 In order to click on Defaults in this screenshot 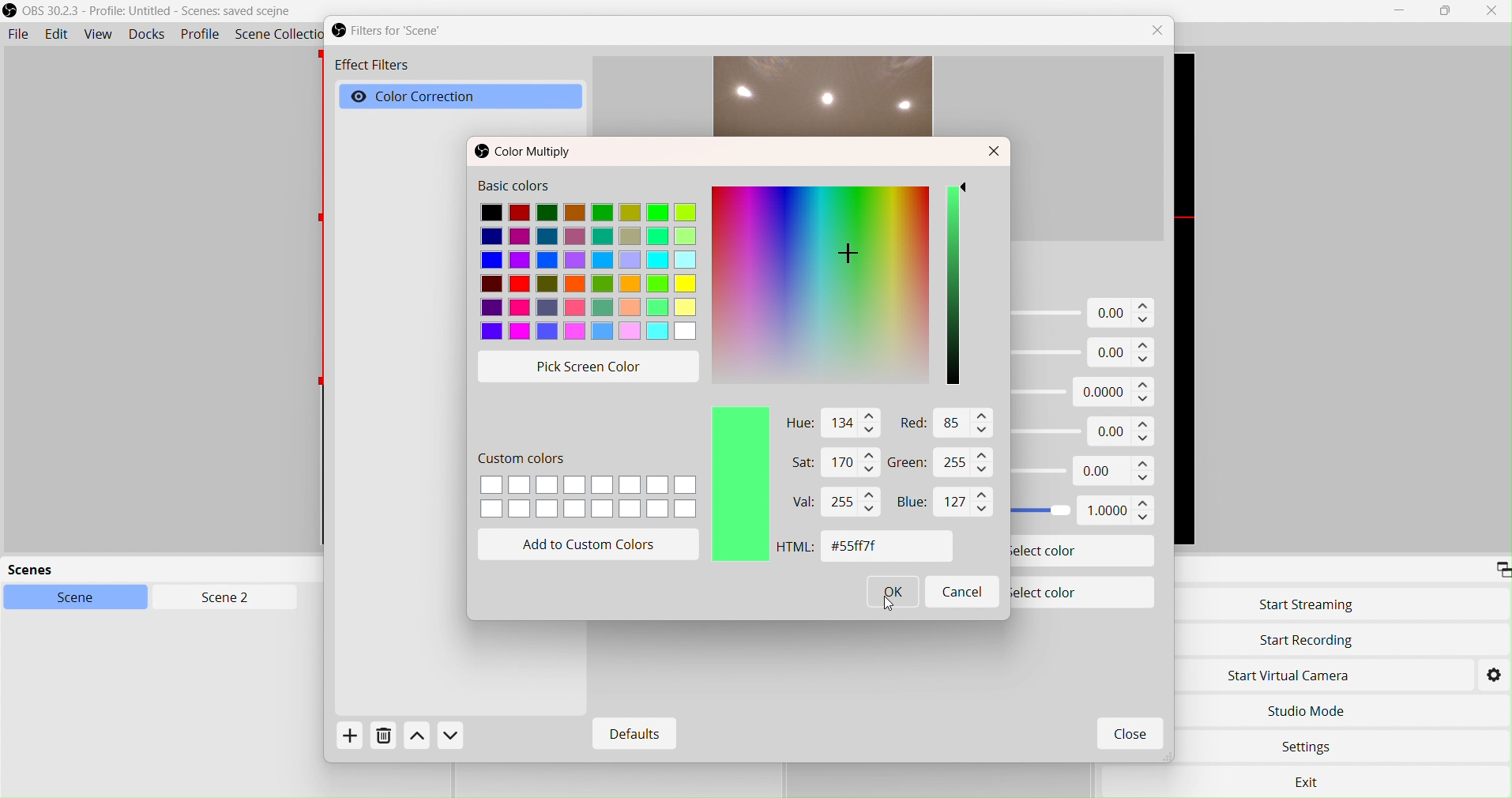, I will do `click(630, 735)`.